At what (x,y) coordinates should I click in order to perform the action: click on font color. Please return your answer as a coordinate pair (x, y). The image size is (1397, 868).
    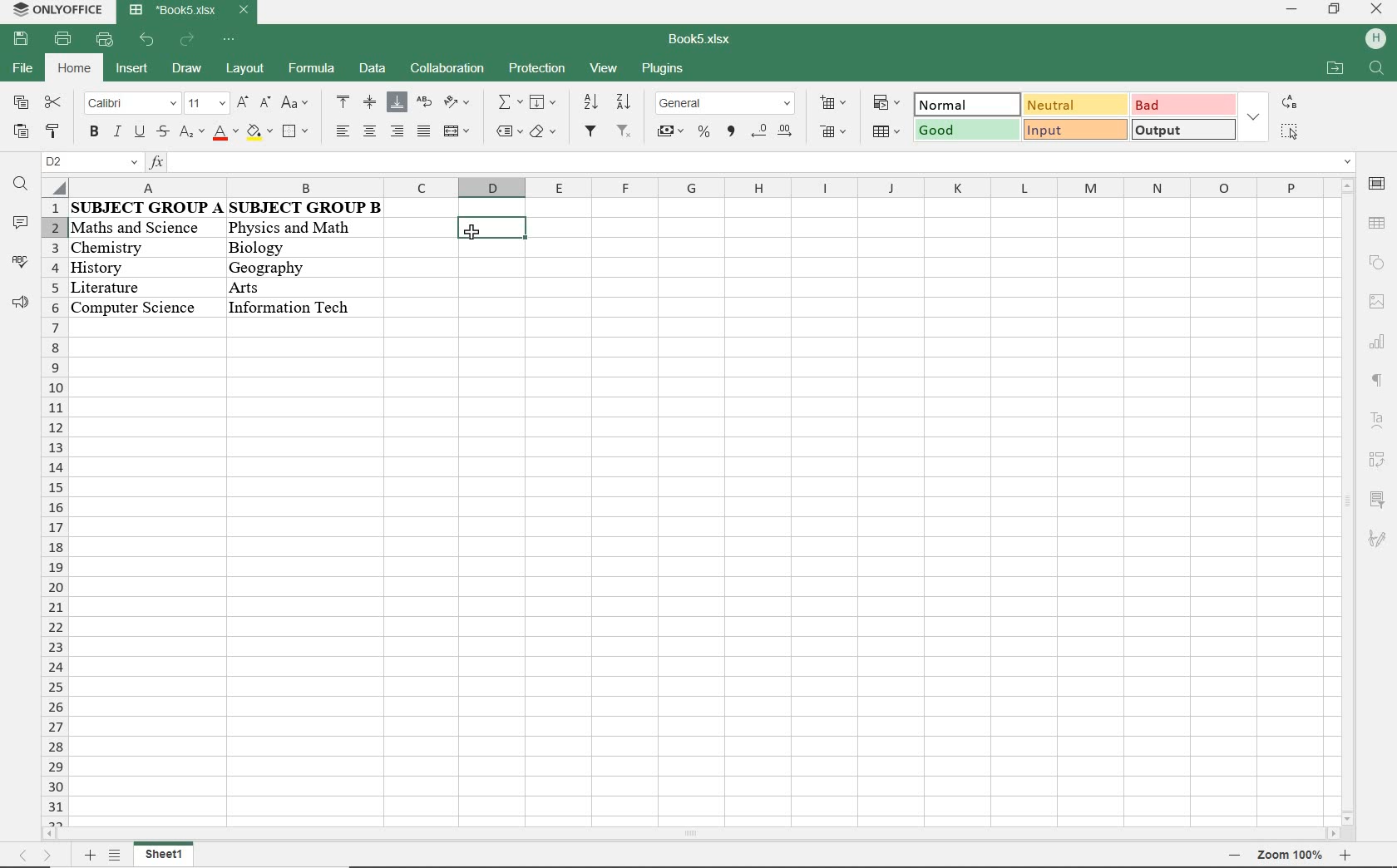
    Looking at the image, I should click on (227, 133).